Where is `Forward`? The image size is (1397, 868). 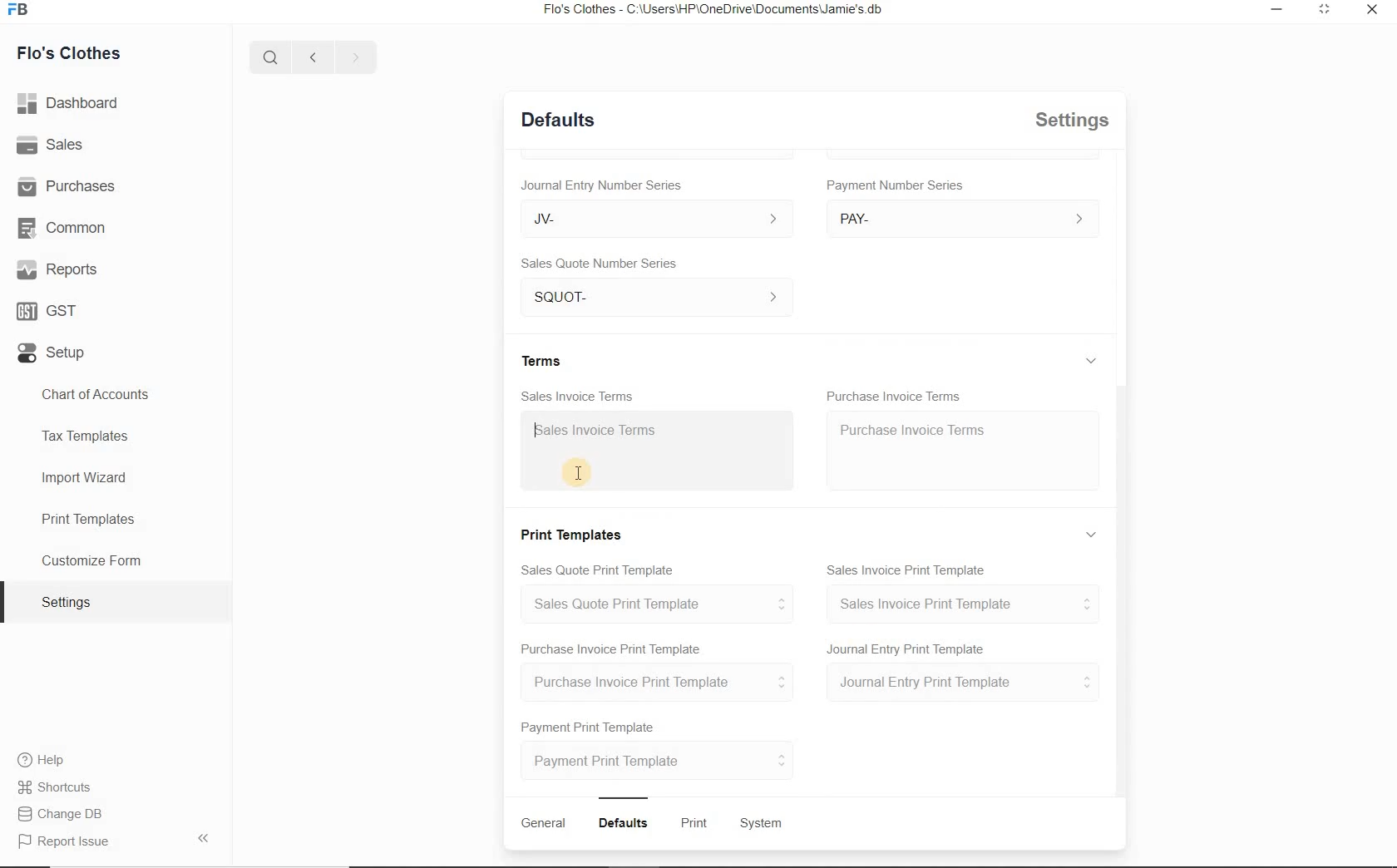
Forward is located at coordinates (354, 55).